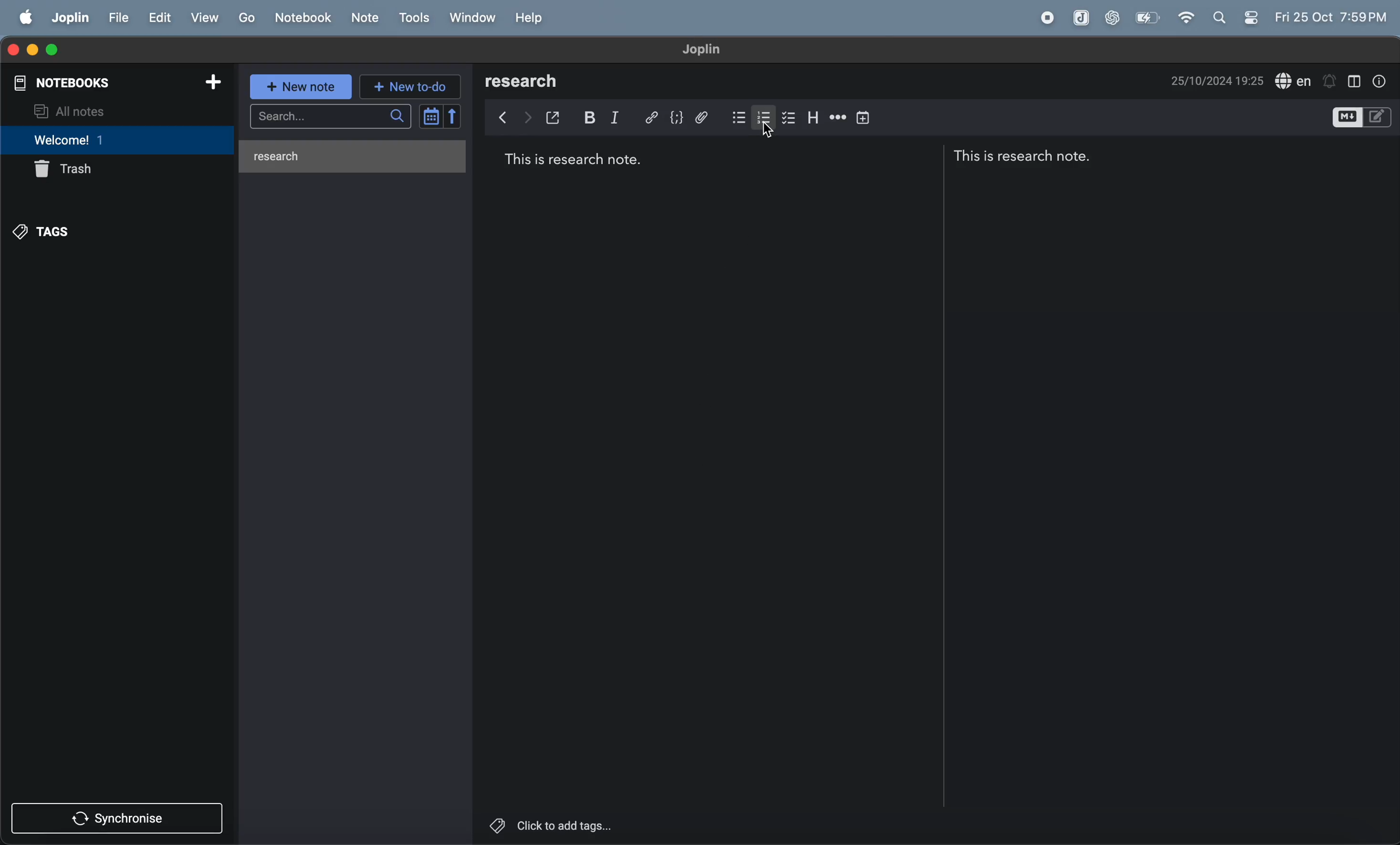 This screenshot has height=845, width=1400. I want to click on heading, so click(816, 117).